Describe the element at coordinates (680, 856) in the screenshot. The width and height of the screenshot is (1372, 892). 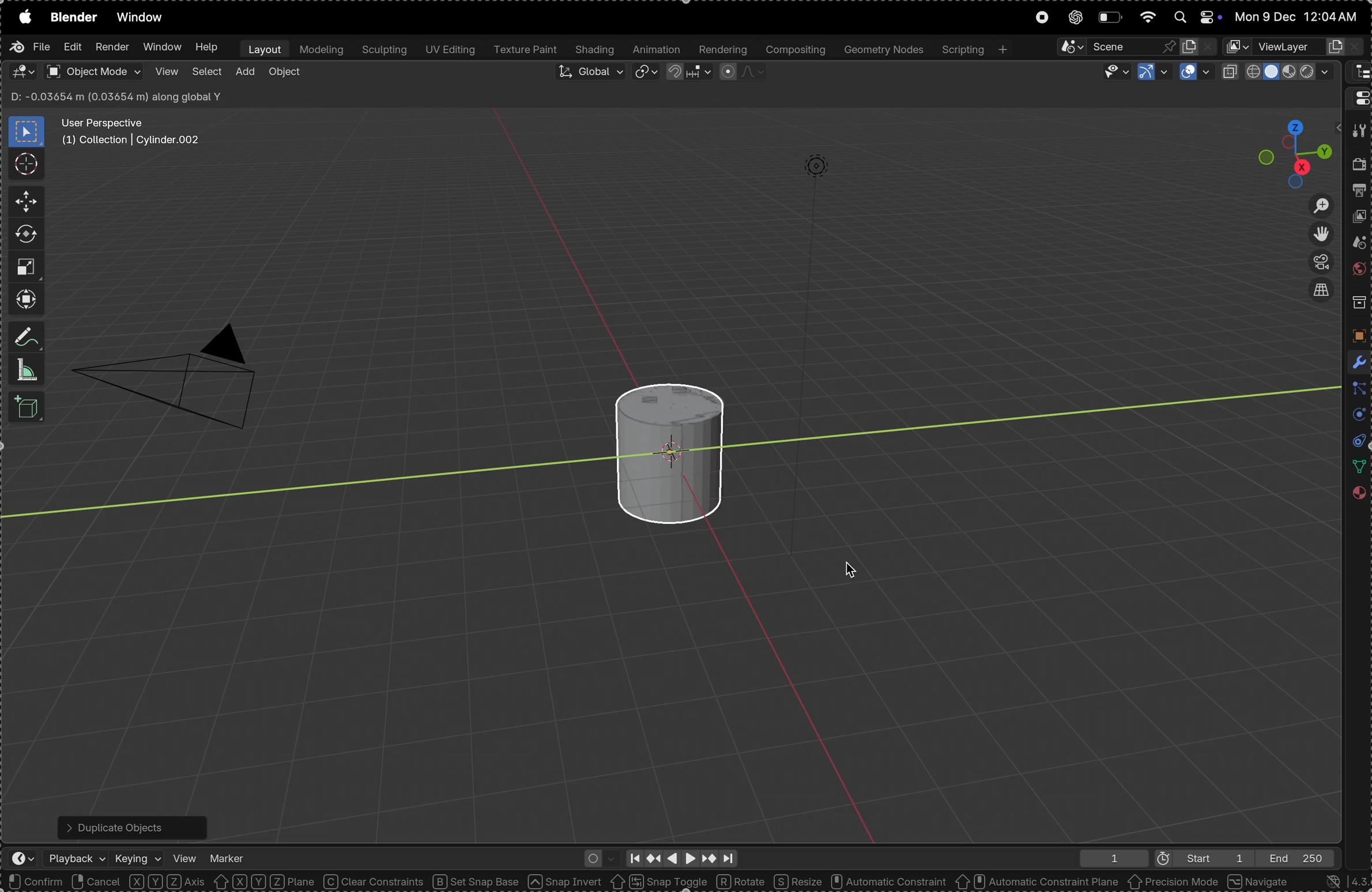
I see `playback controls` at that location.